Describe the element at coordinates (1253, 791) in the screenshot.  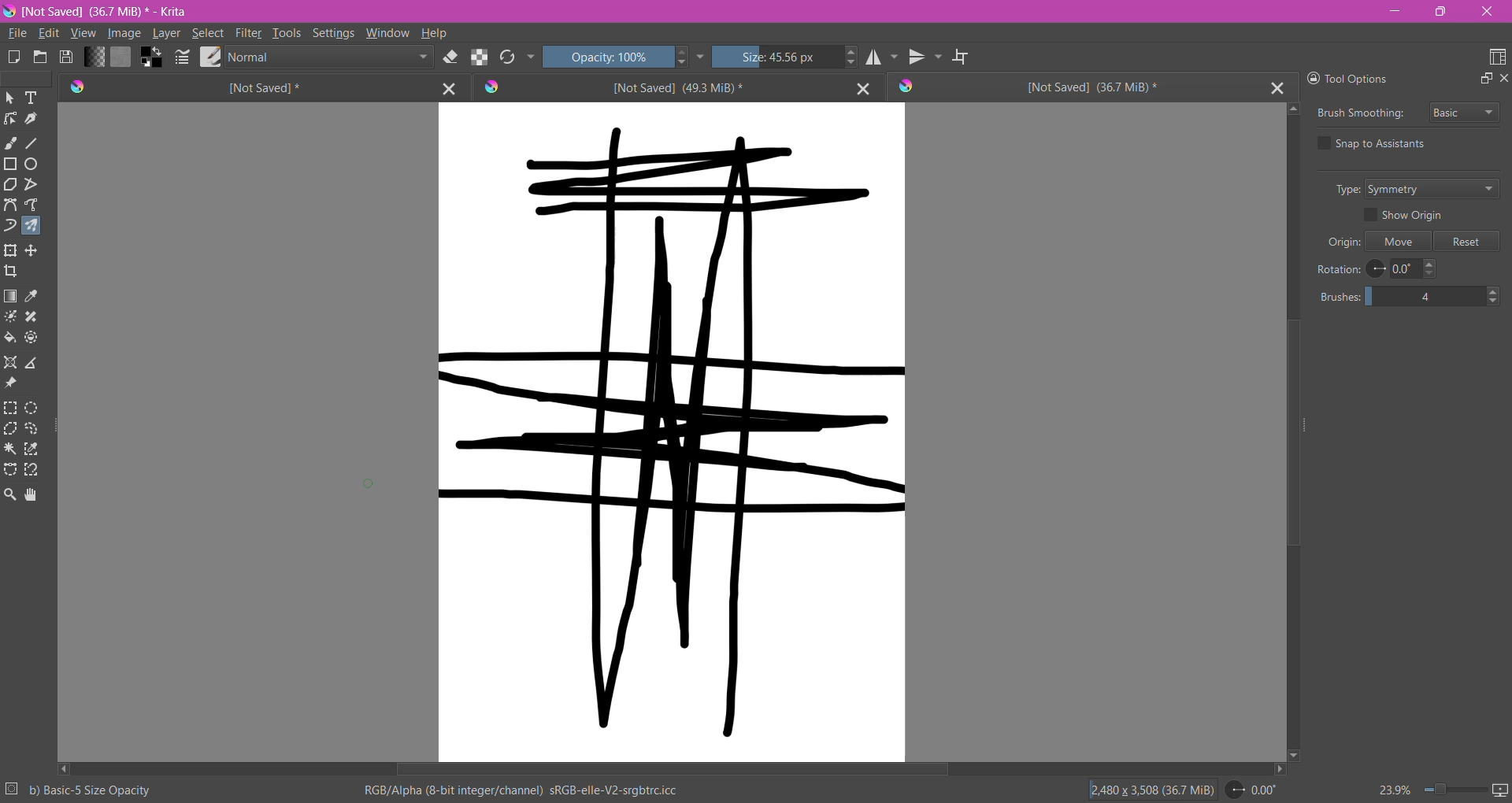
I see `Set Rotation Level` at that location.